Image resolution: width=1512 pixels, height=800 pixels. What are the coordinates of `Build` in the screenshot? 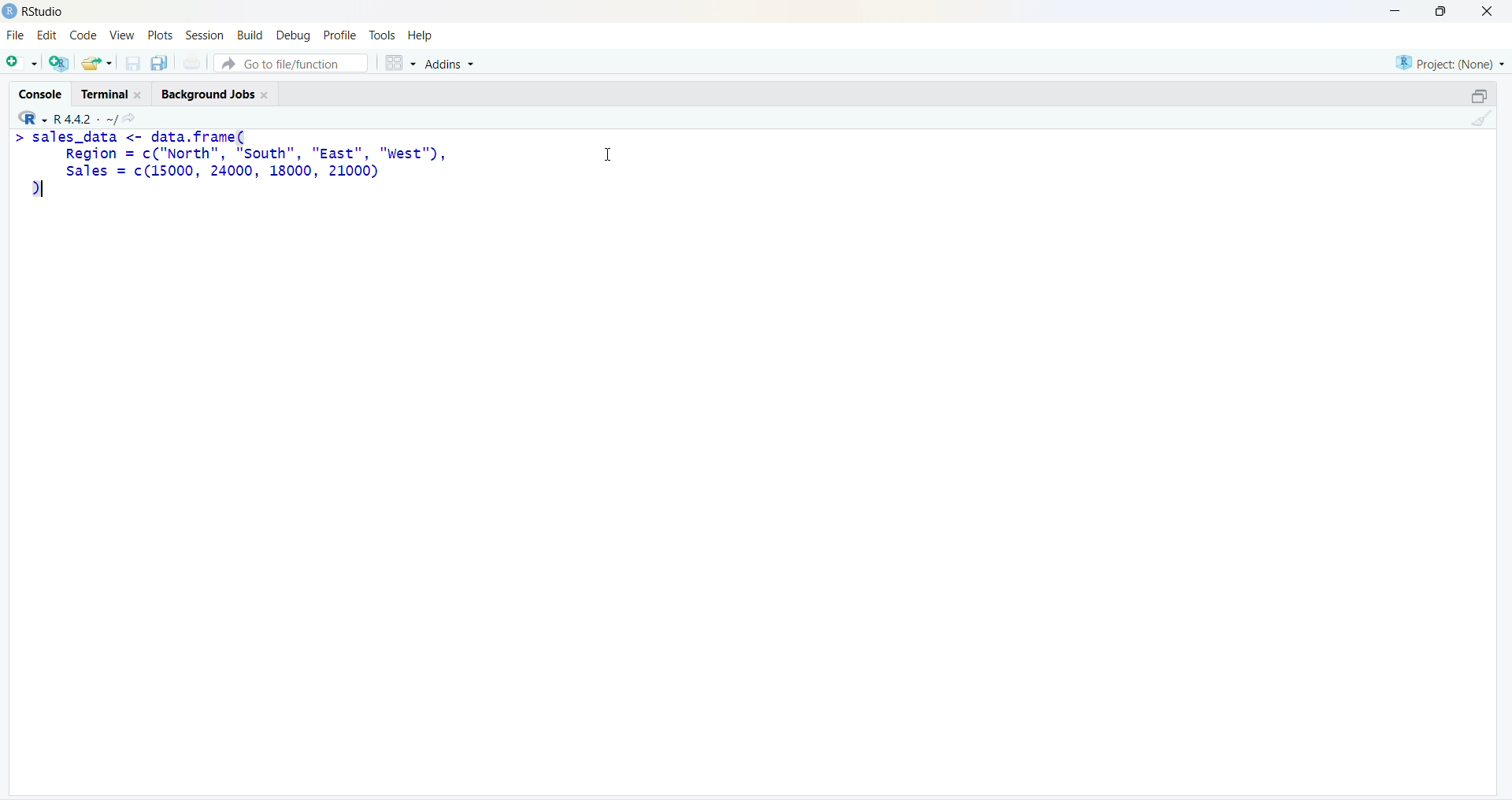 It's located at (249, 35).